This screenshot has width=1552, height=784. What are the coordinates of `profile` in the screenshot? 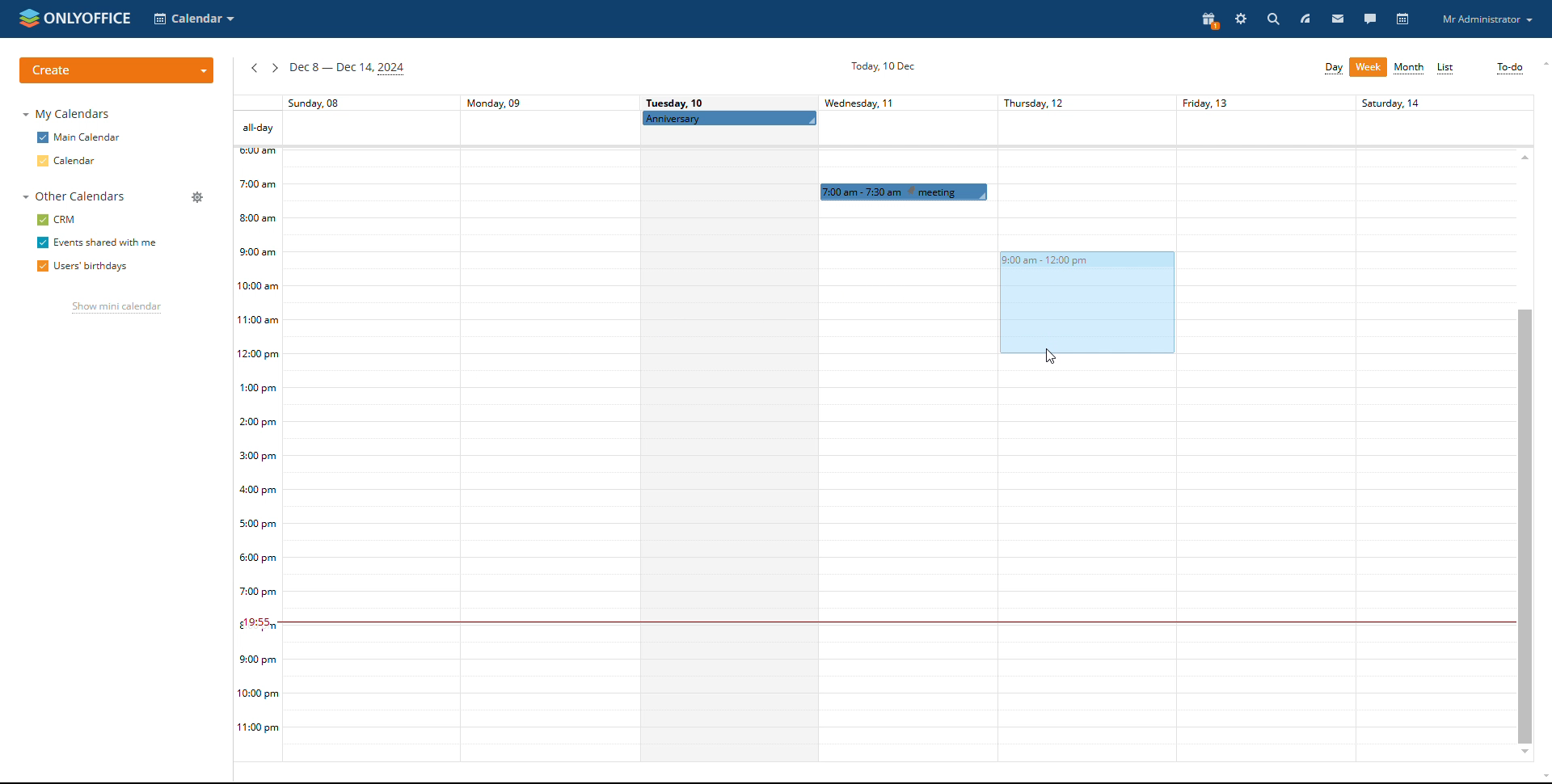 It's located at (1487, 19).